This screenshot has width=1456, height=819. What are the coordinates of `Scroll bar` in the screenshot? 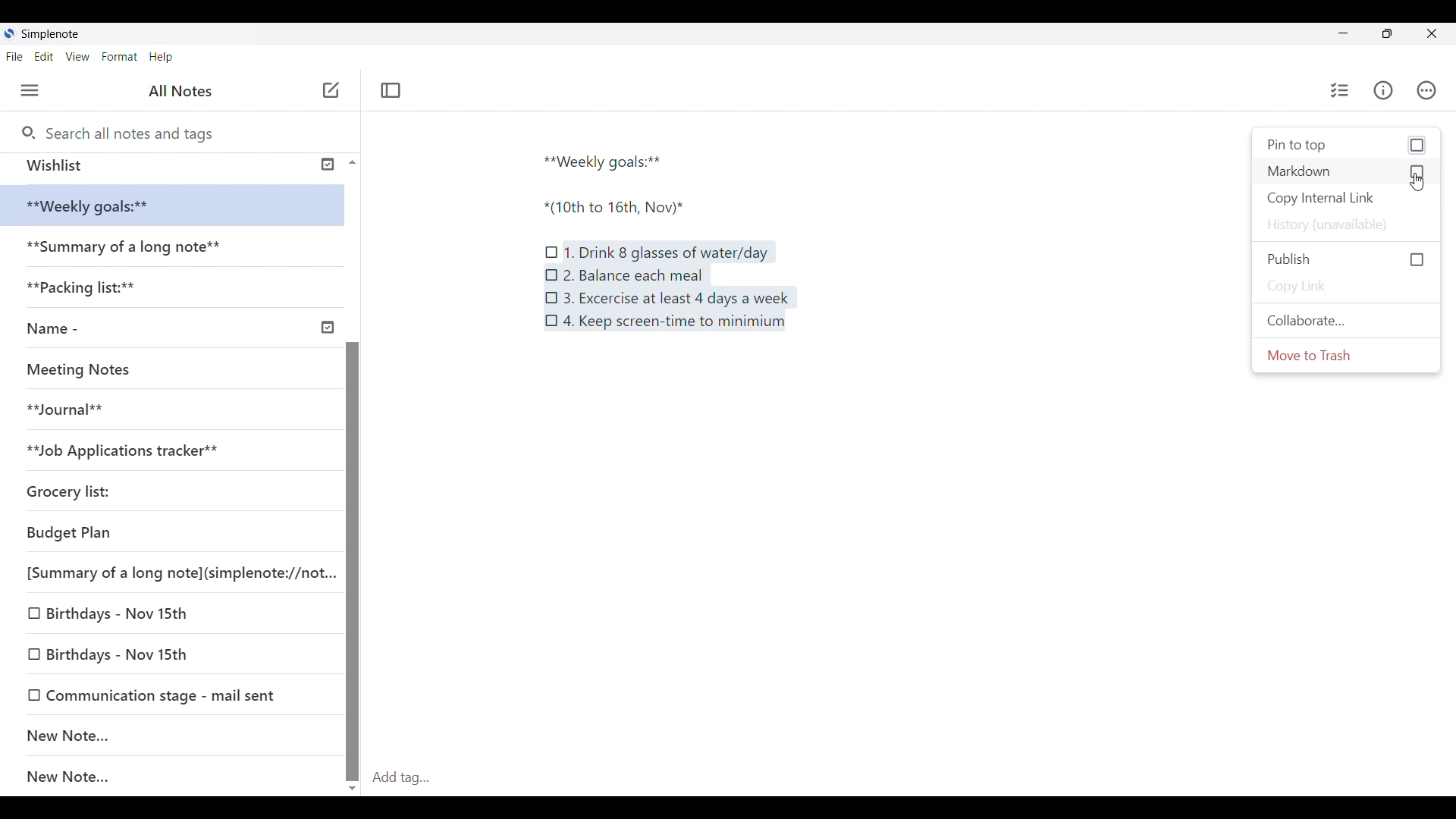 It's located at (352, 523).